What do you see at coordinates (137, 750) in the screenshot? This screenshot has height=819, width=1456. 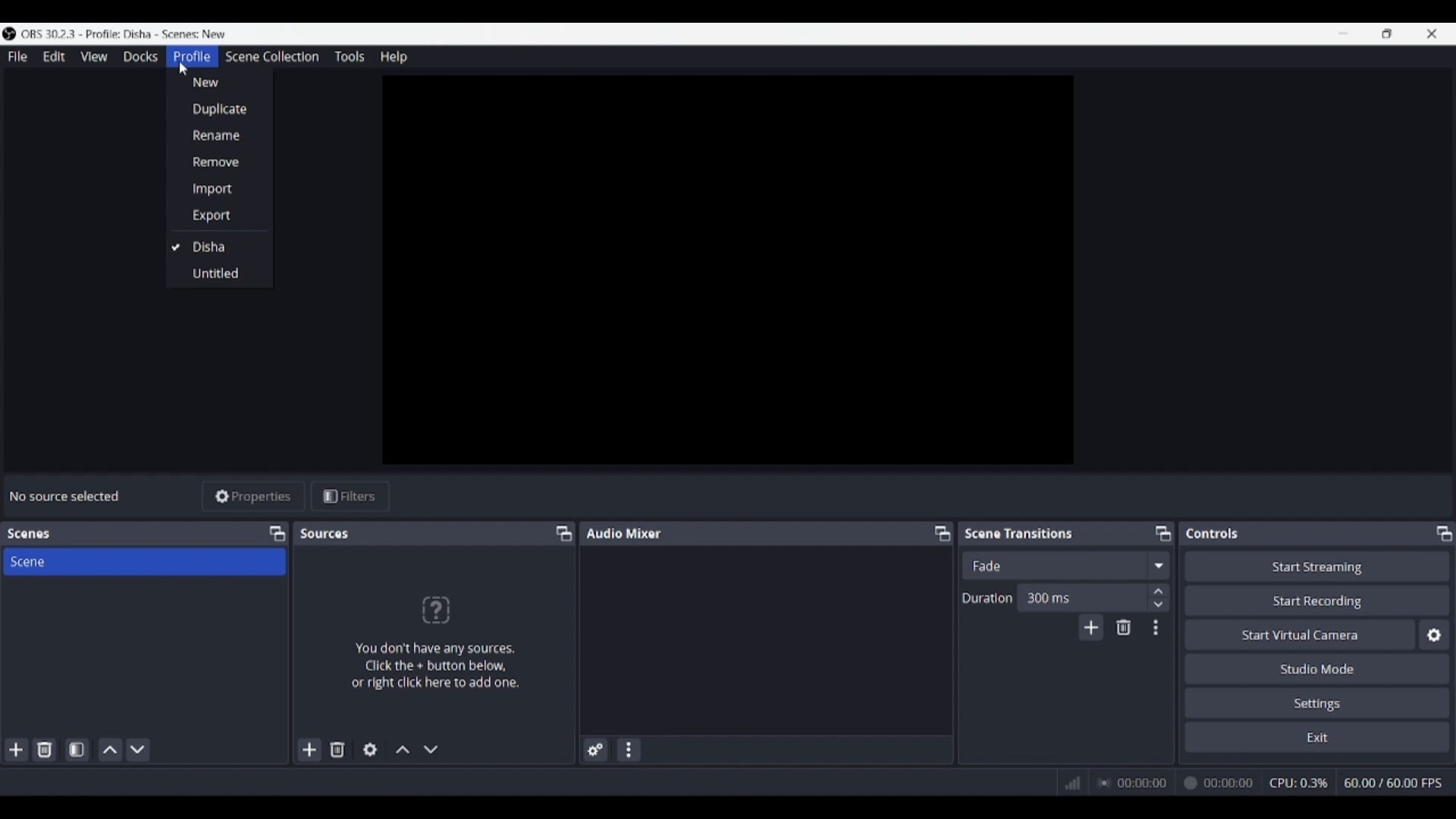 I see `Move scene down` at bounding box center [137, 750].